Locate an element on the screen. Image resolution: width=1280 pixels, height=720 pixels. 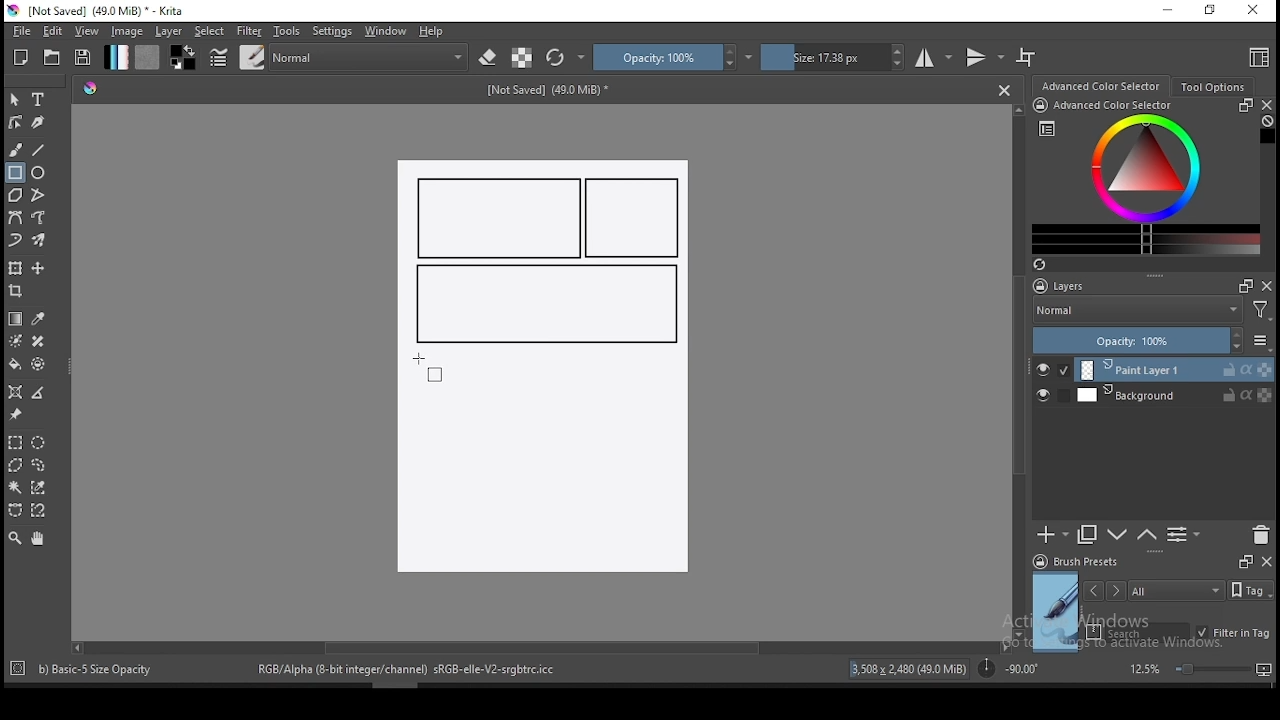
advanced color selector is located at coordinates (1142, 176).